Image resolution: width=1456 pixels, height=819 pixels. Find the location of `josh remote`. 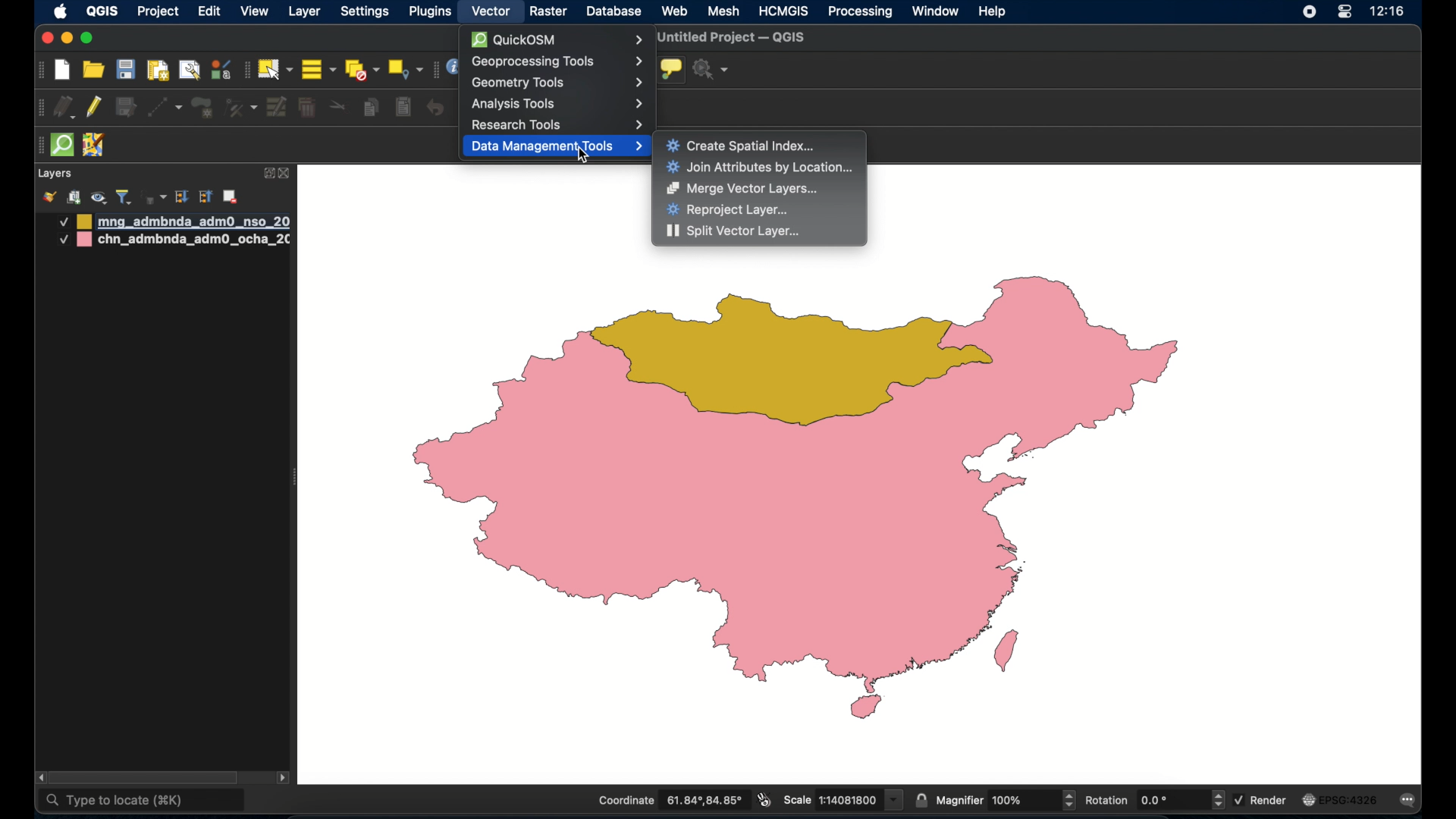

josh remote is located at coordinates (93, 146).